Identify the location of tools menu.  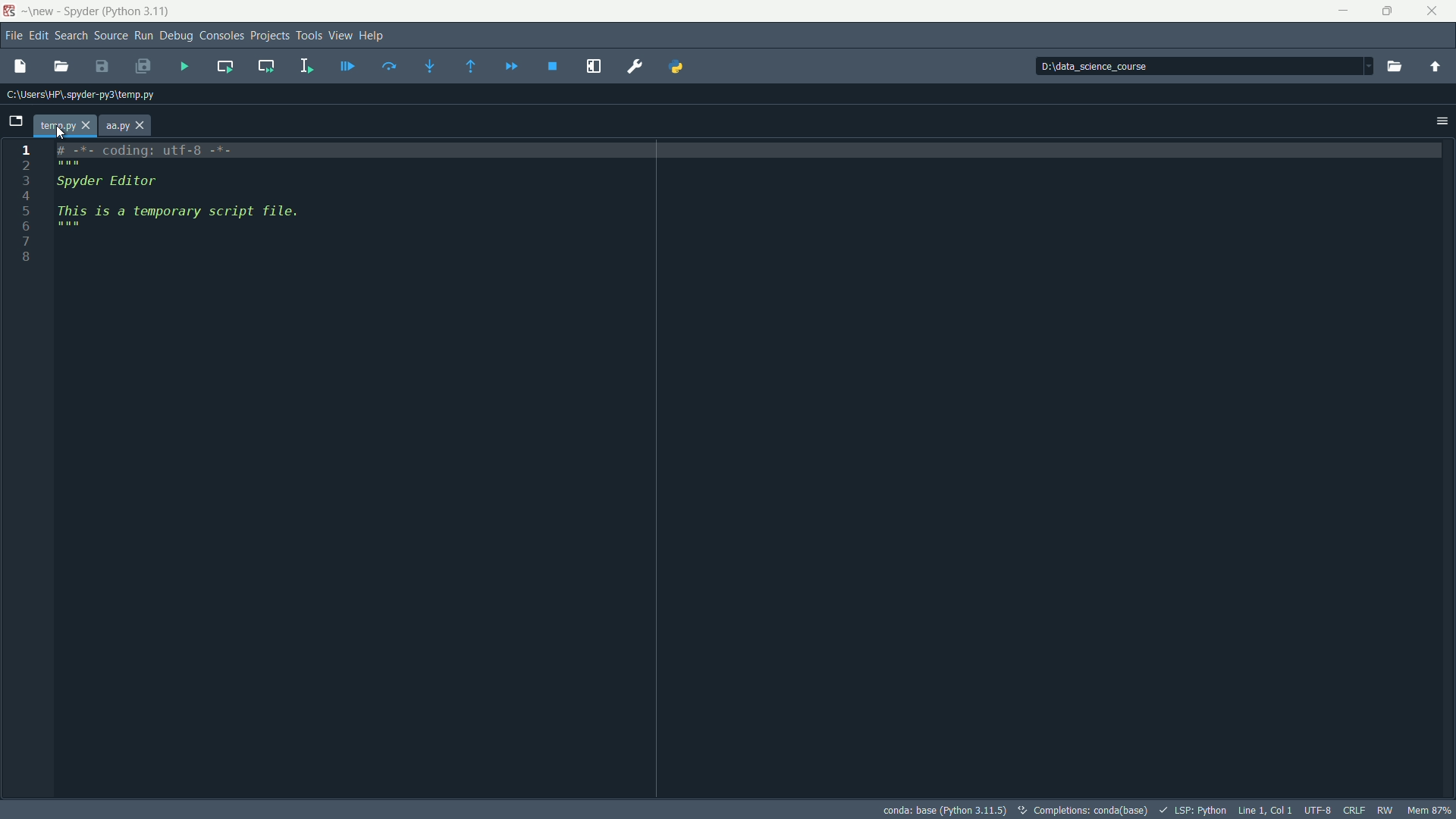
(309, 36).